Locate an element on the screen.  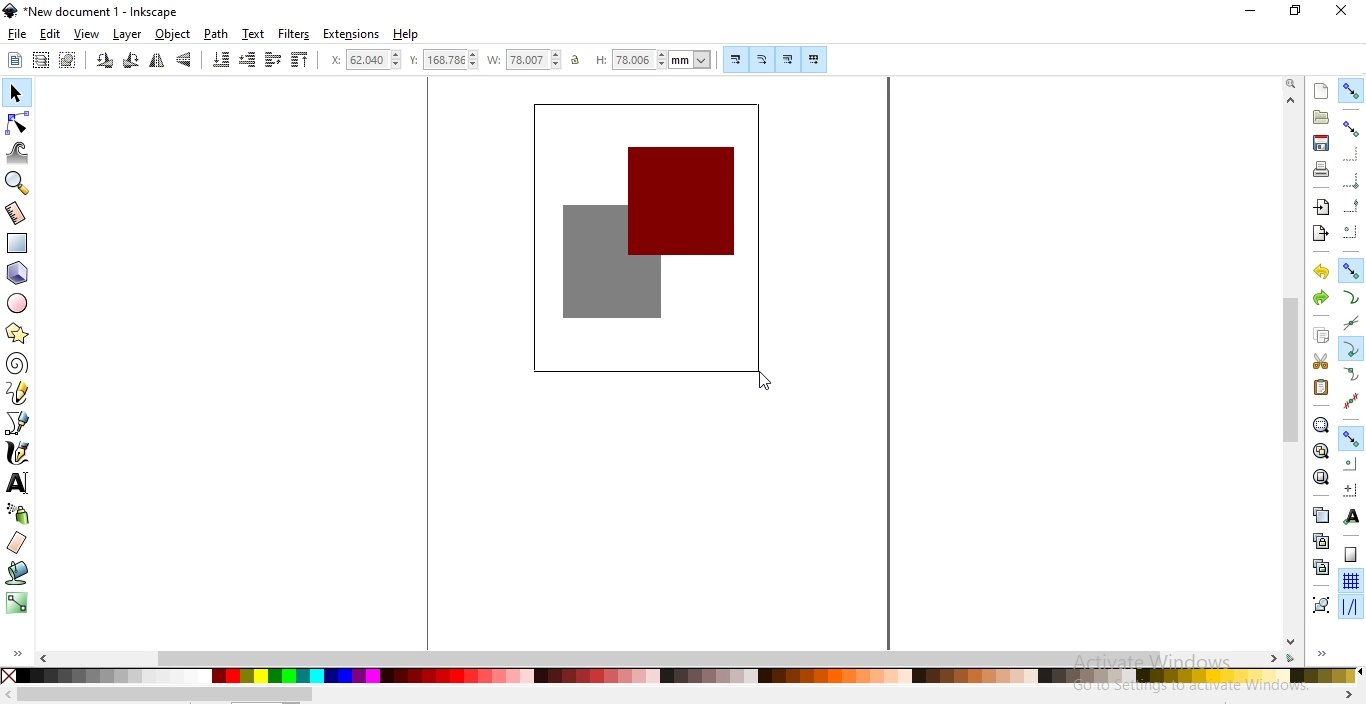
draw freehand lines is located at coordinates (18, 392).